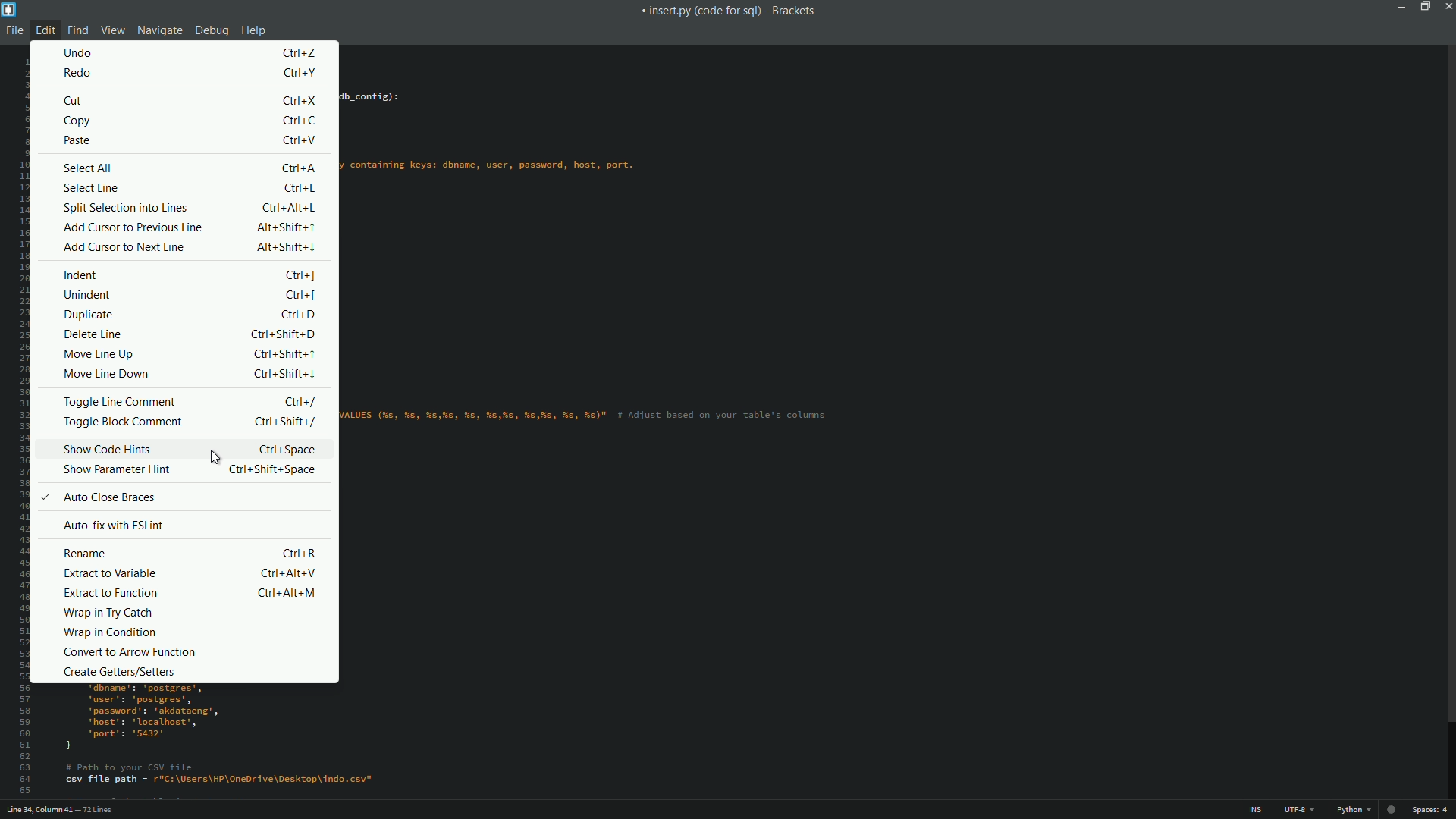 This screenshot has width=1456, height=819. What do you see at coordinates (89, 188) in the screenshot?
I see `select line` at bounding box center [89, 188].